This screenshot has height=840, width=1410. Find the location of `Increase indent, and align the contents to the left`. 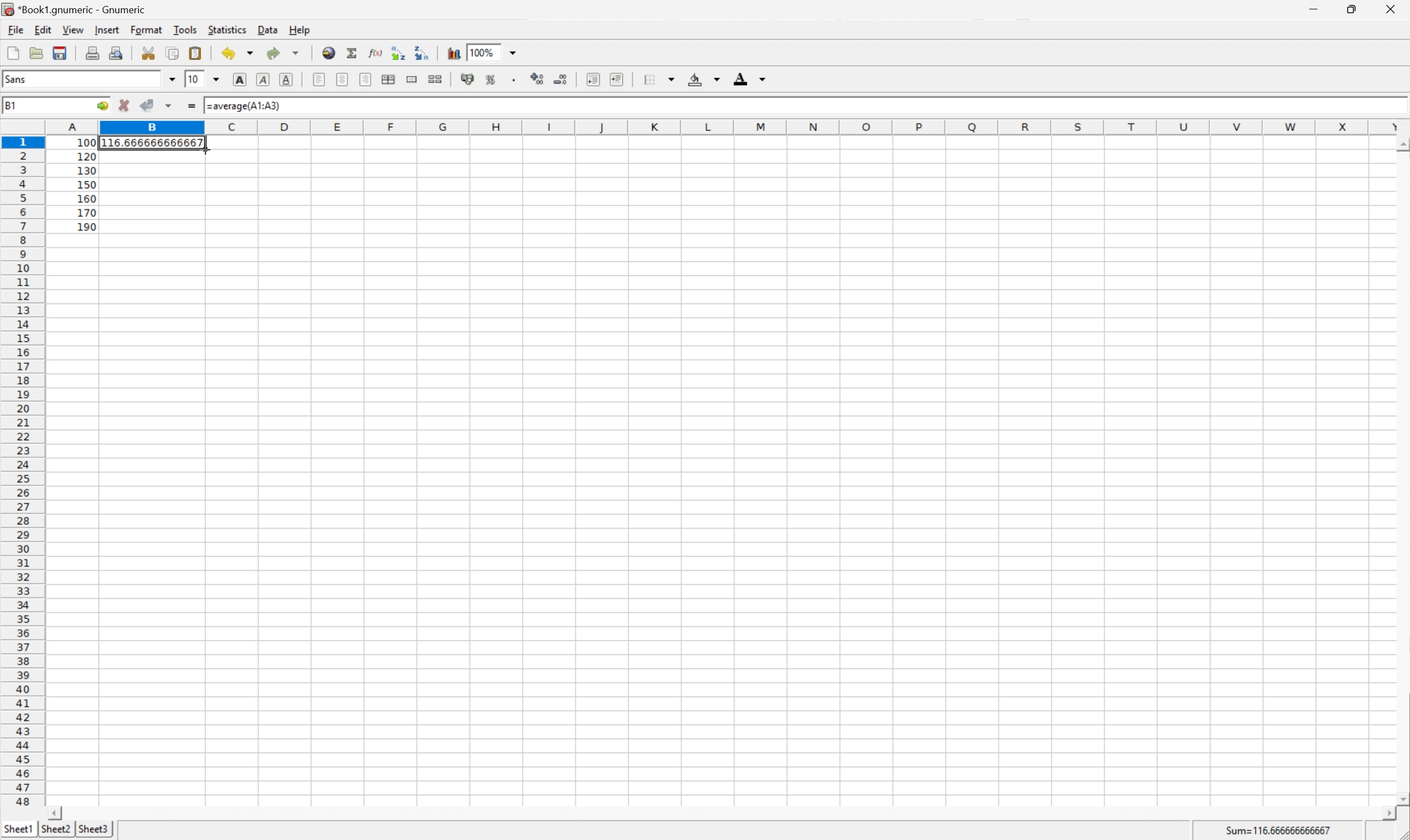

Increase indent, and align the contents to the left is located at coordinates (619, 80).